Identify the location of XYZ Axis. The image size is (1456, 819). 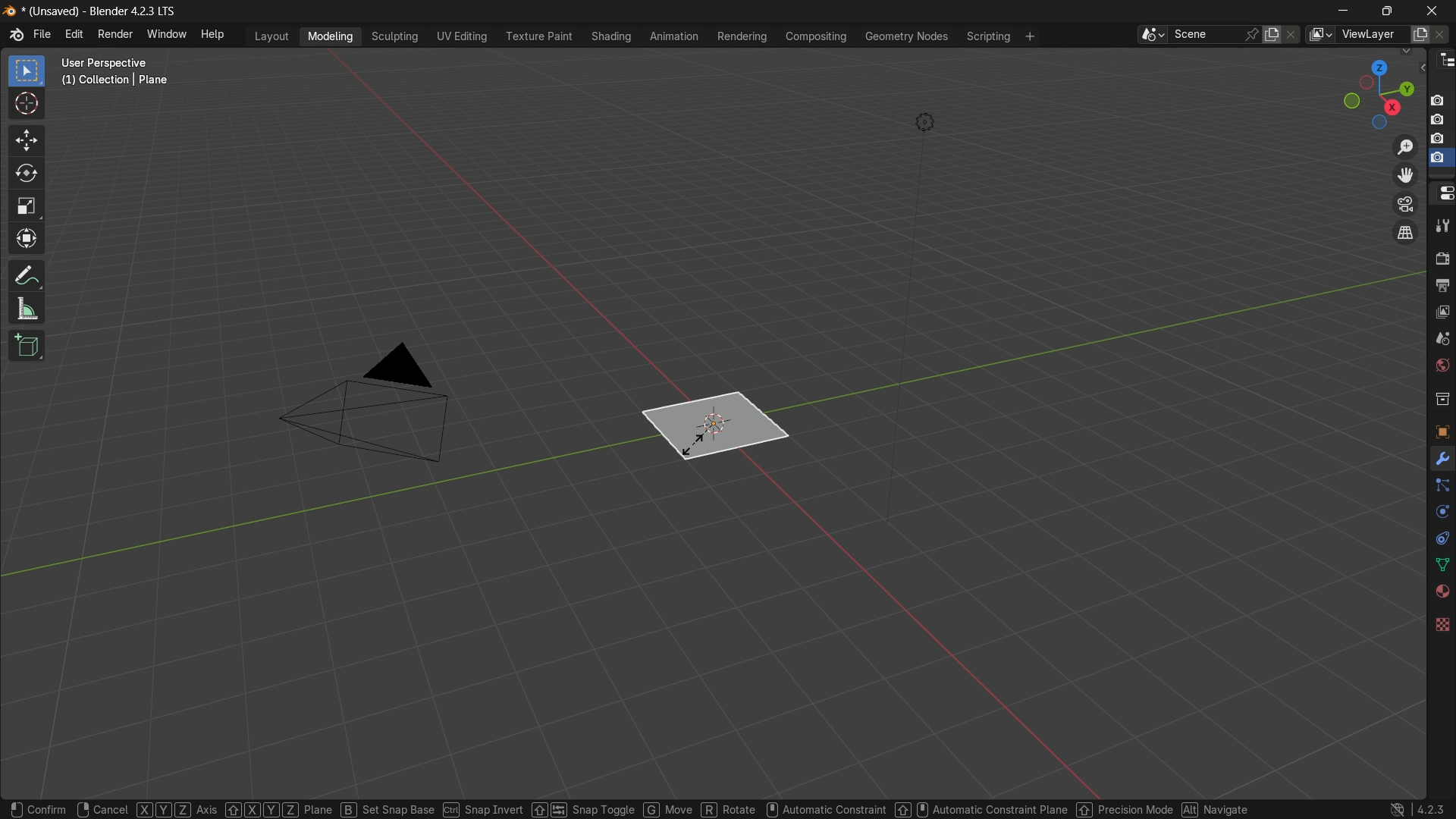
(175, 805).